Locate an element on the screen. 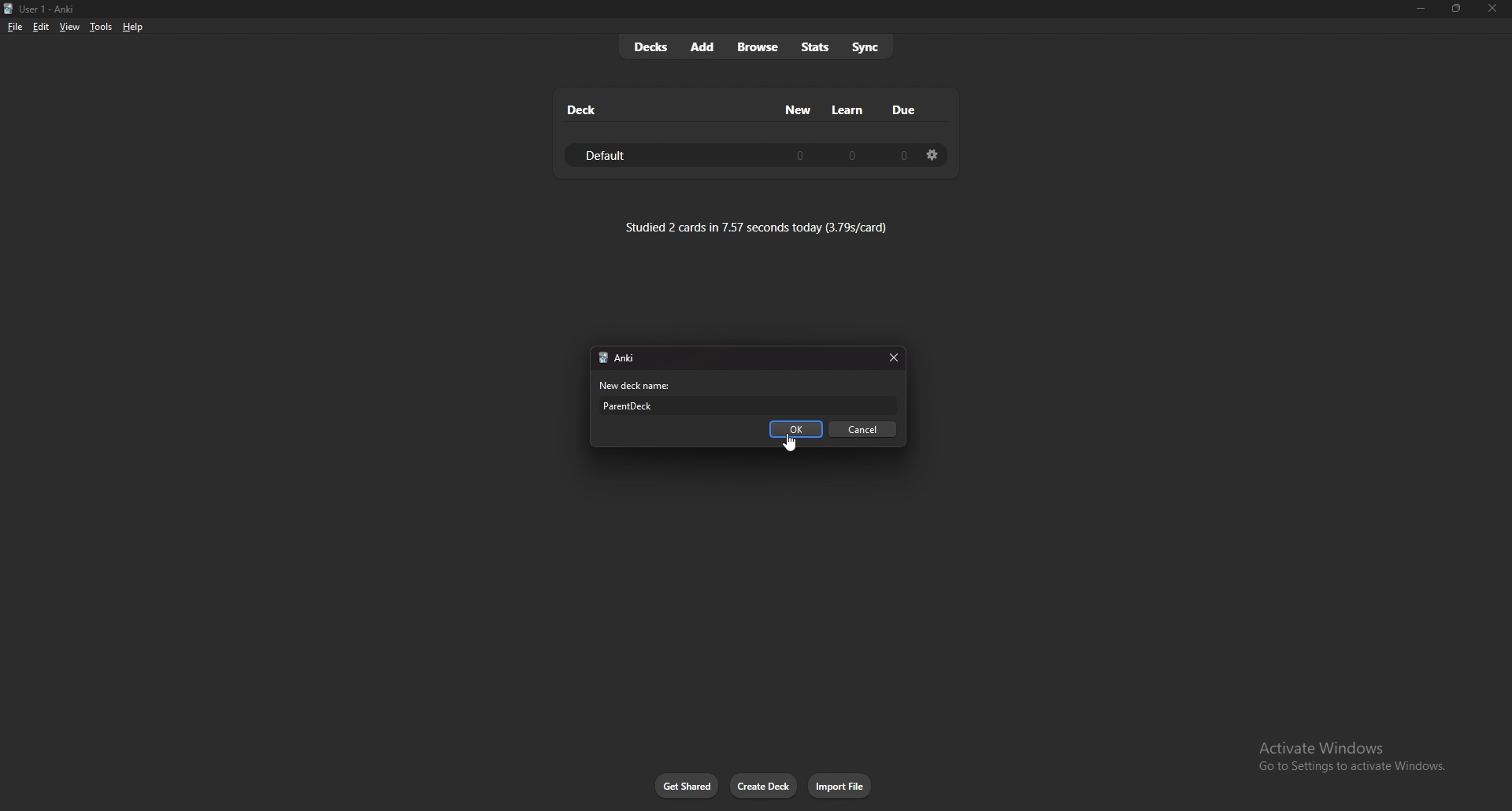 The height and width of the screenshot is (811, 1512). due is located at coordinates (902, 109).